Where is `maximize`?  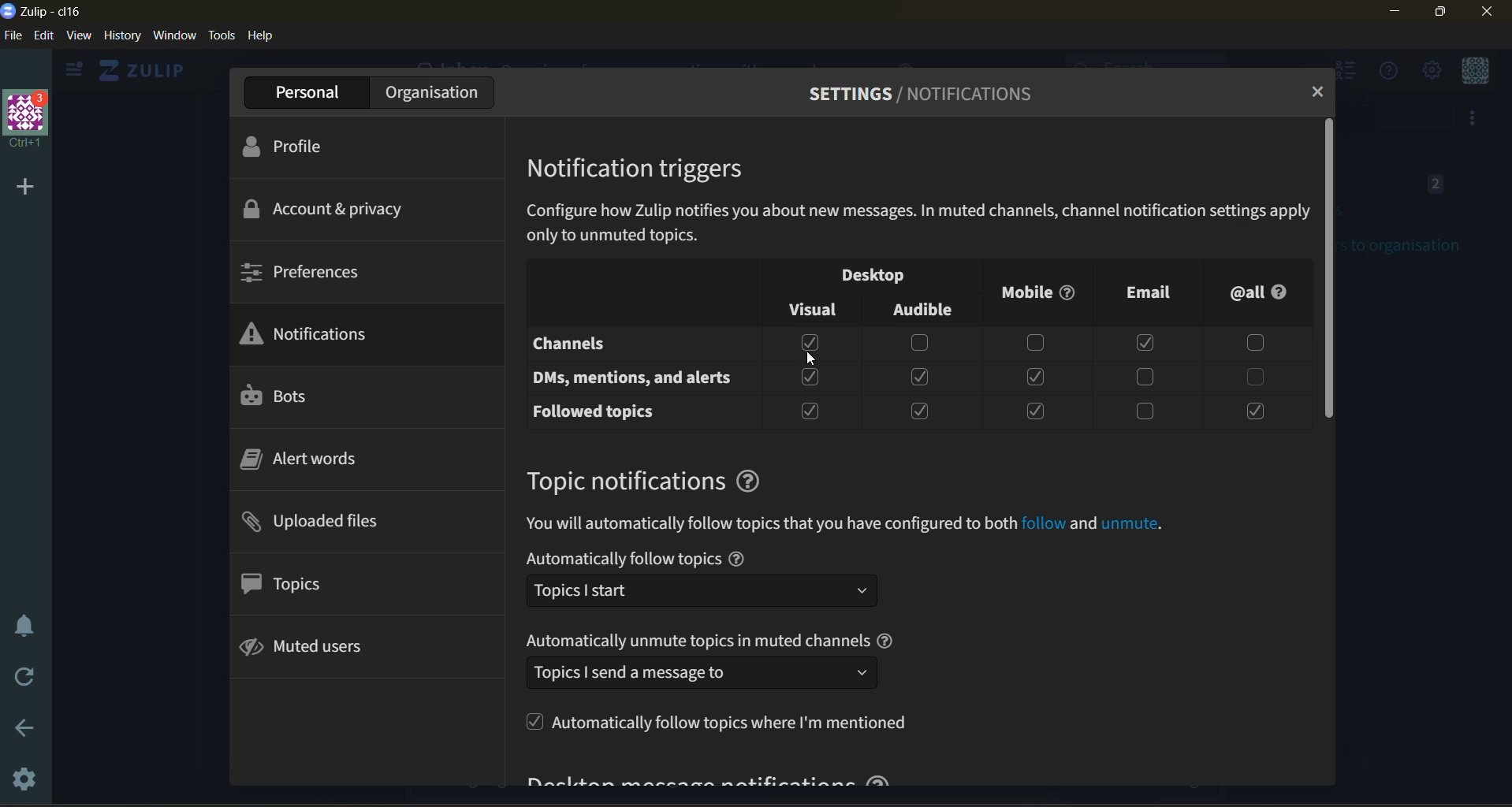
maximize is located at coordinates (1437, 13).